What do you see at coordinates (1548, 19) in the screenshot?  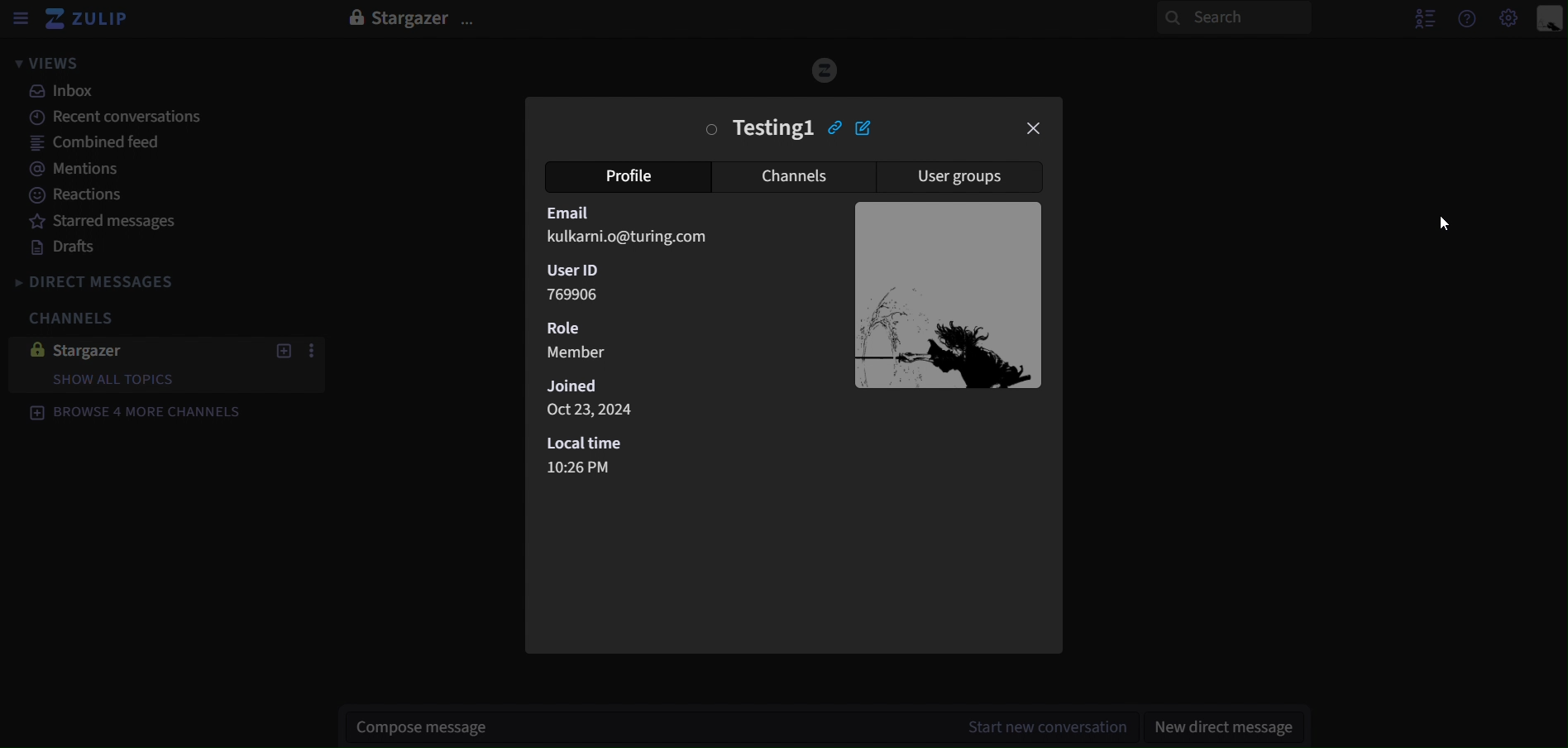 I see `personal menu` at bounding box center [1548, 19].